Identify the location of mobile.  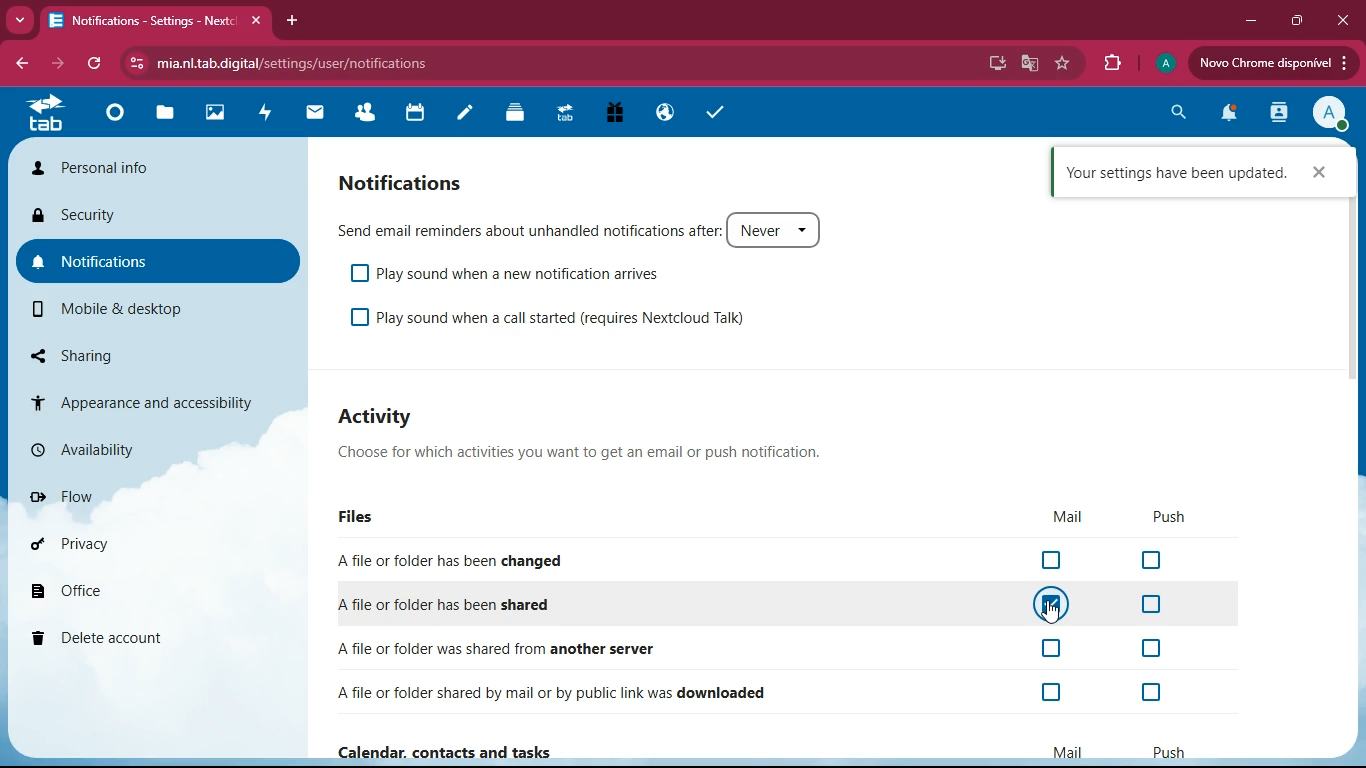
(132, 308).